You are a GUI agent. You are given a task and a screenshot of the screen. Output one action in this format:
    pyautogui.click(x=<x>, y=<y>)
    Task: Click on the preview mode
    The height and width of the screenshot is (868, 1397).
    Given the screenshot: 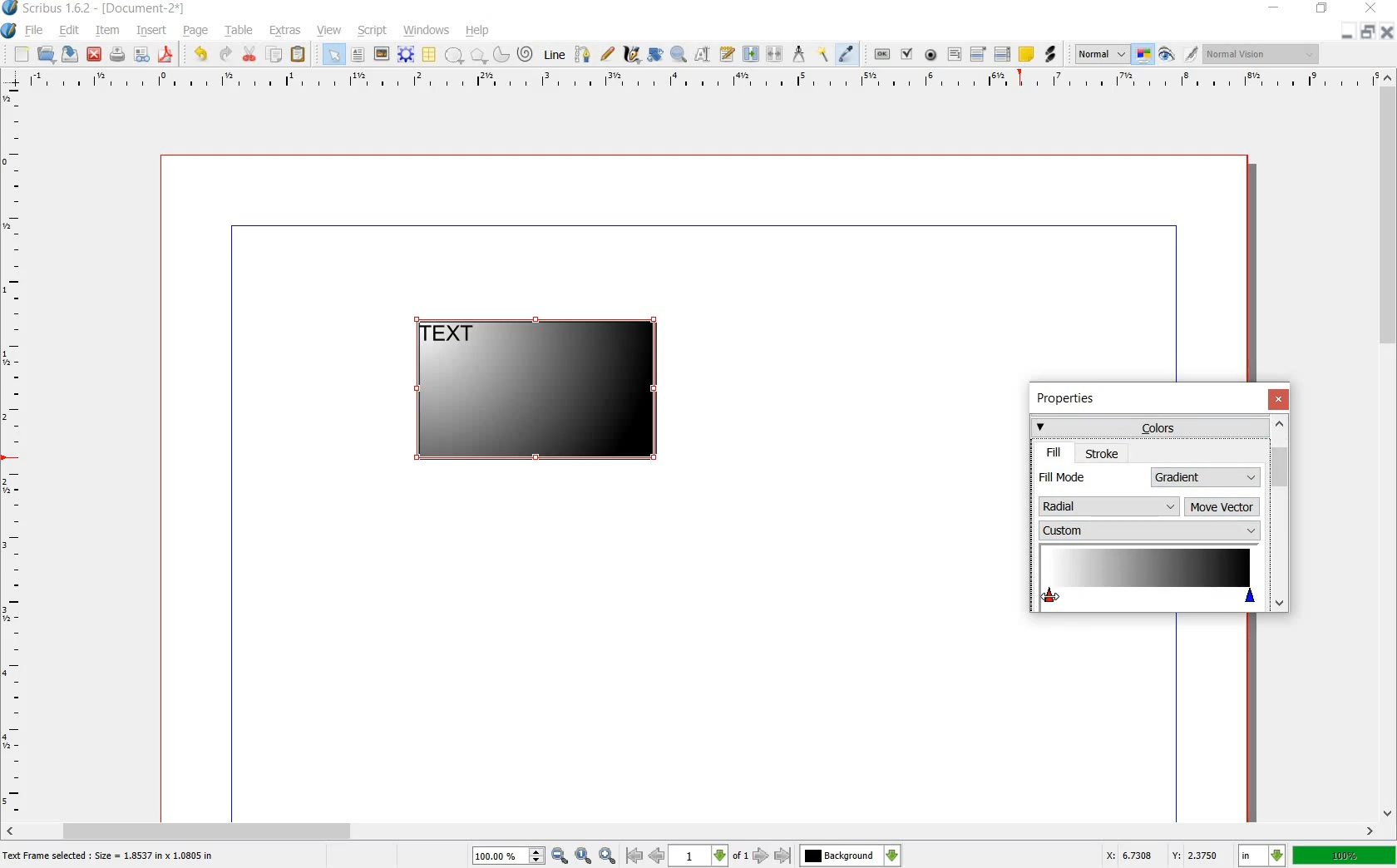 What is the action you would take?
    pyautogui.click(x=1167, y=54)
    